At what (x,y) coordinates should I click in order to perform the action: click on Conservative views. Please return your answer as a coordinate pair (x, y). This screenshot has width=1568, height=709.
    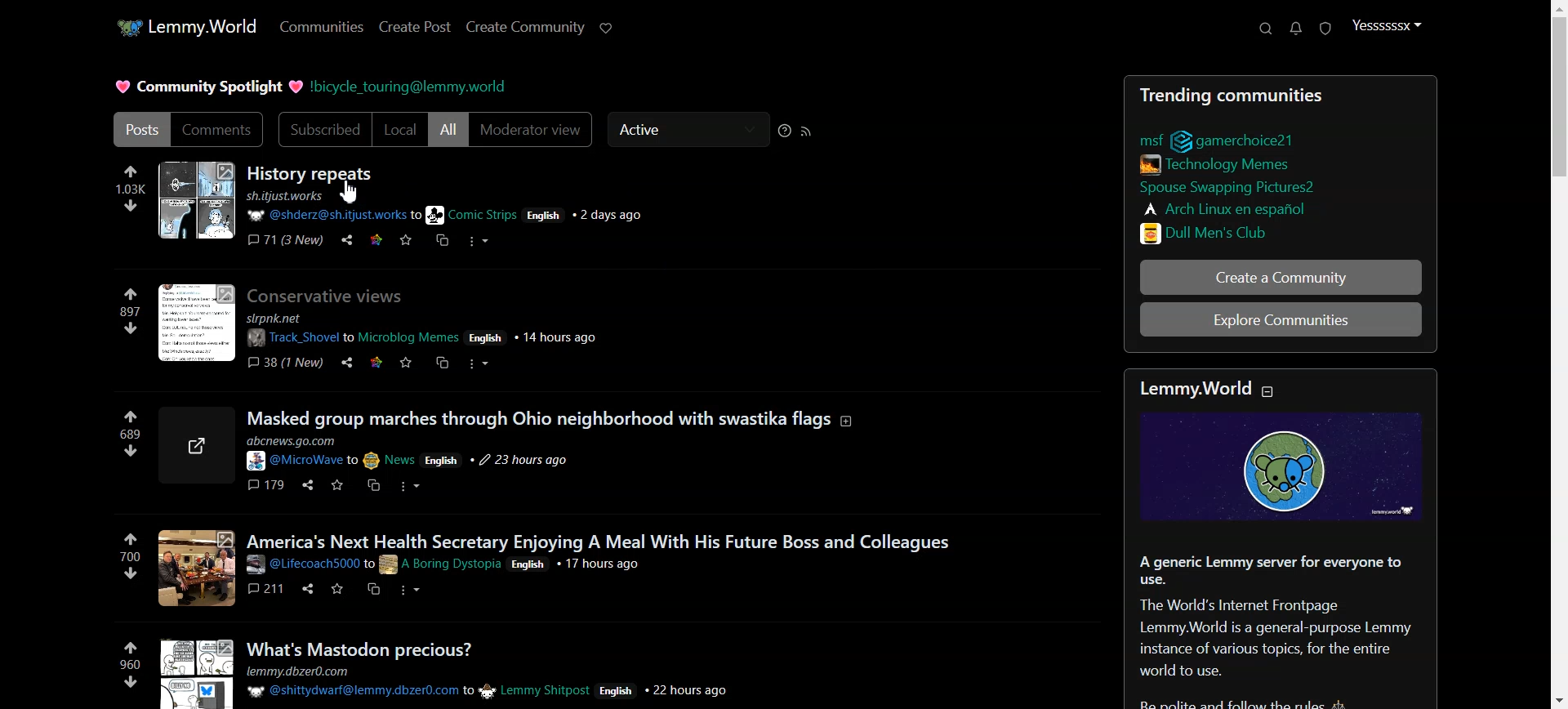
    Looking at the image, I should click on (327, 296).